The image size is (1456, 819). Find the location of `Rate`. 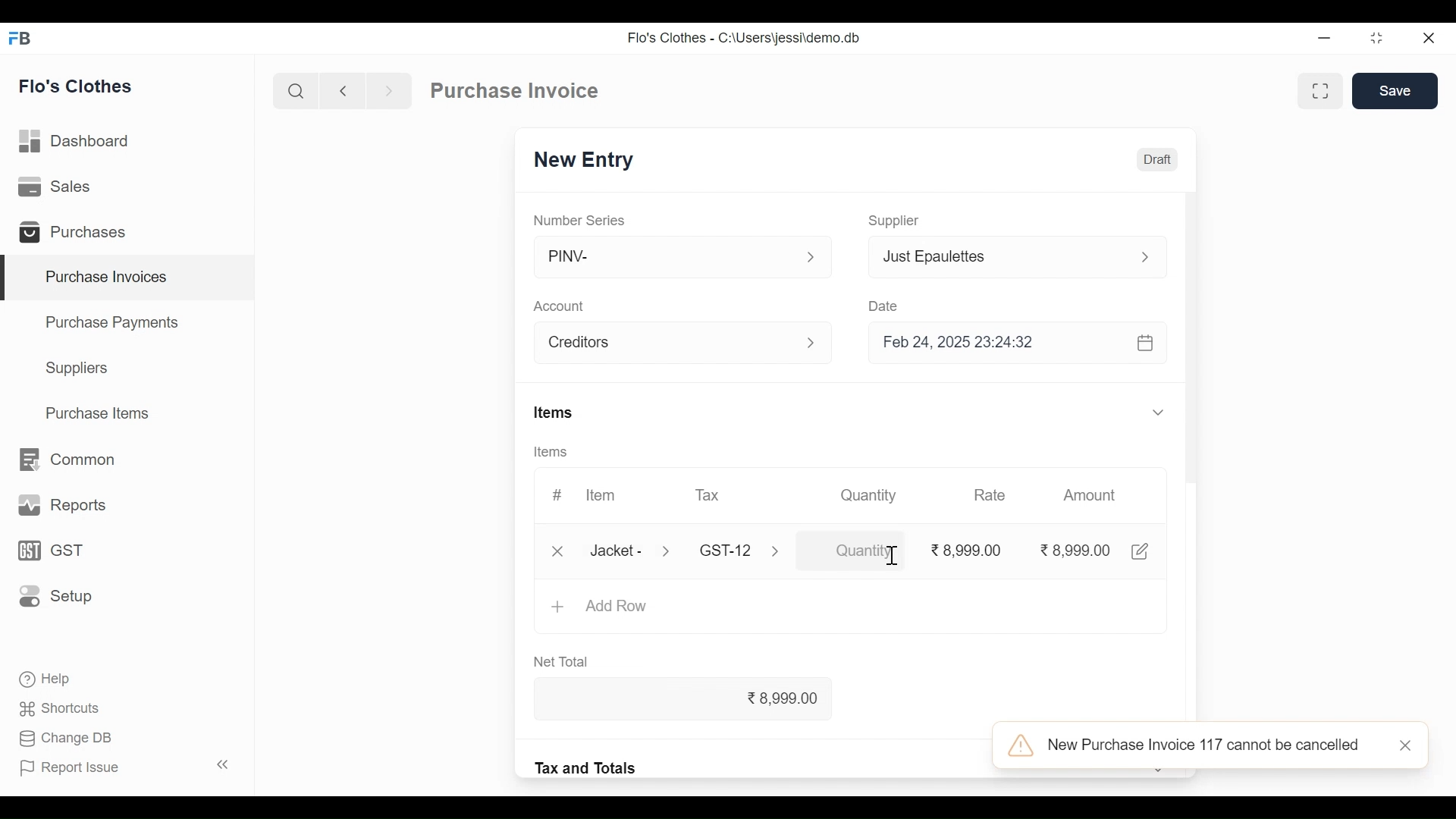

Rate is located at coordinates (988, 495).